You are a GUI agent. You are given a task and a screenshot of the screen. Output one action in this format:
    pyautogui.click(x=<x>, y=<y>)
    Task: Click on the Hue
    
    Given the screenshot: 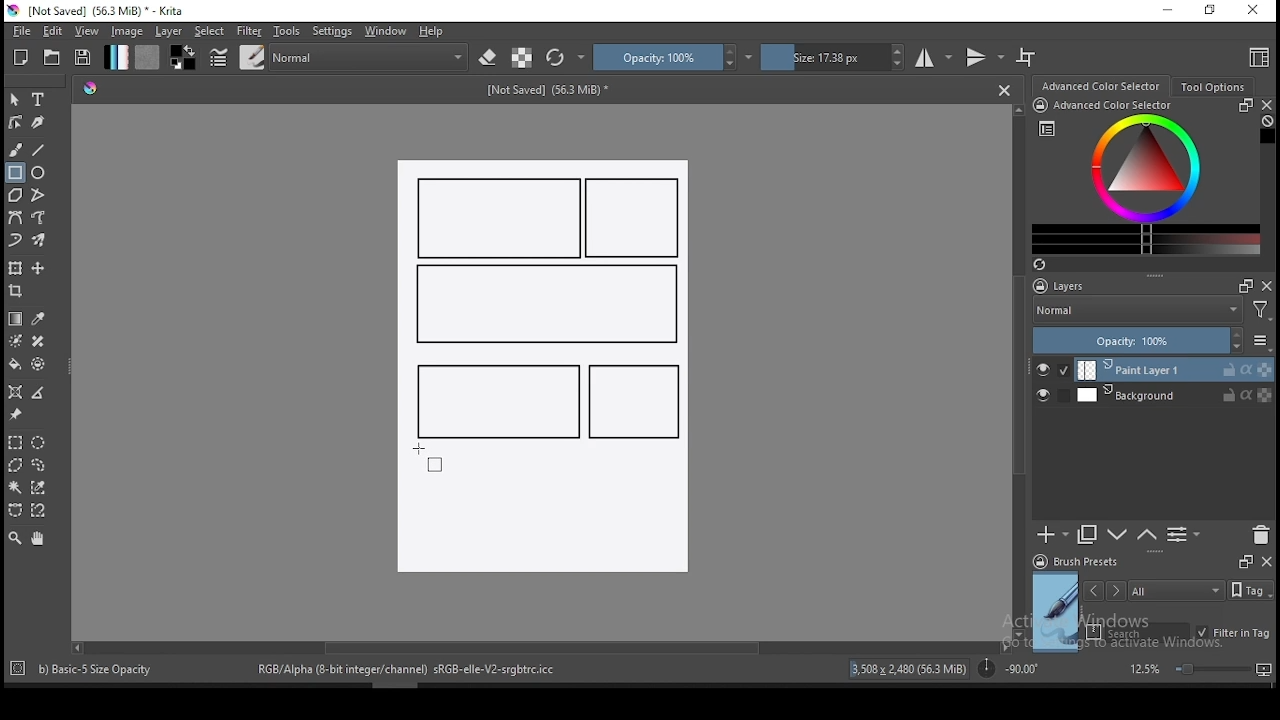 What is the action you would take?
    pyautogui.click(x=90, y=88)
    